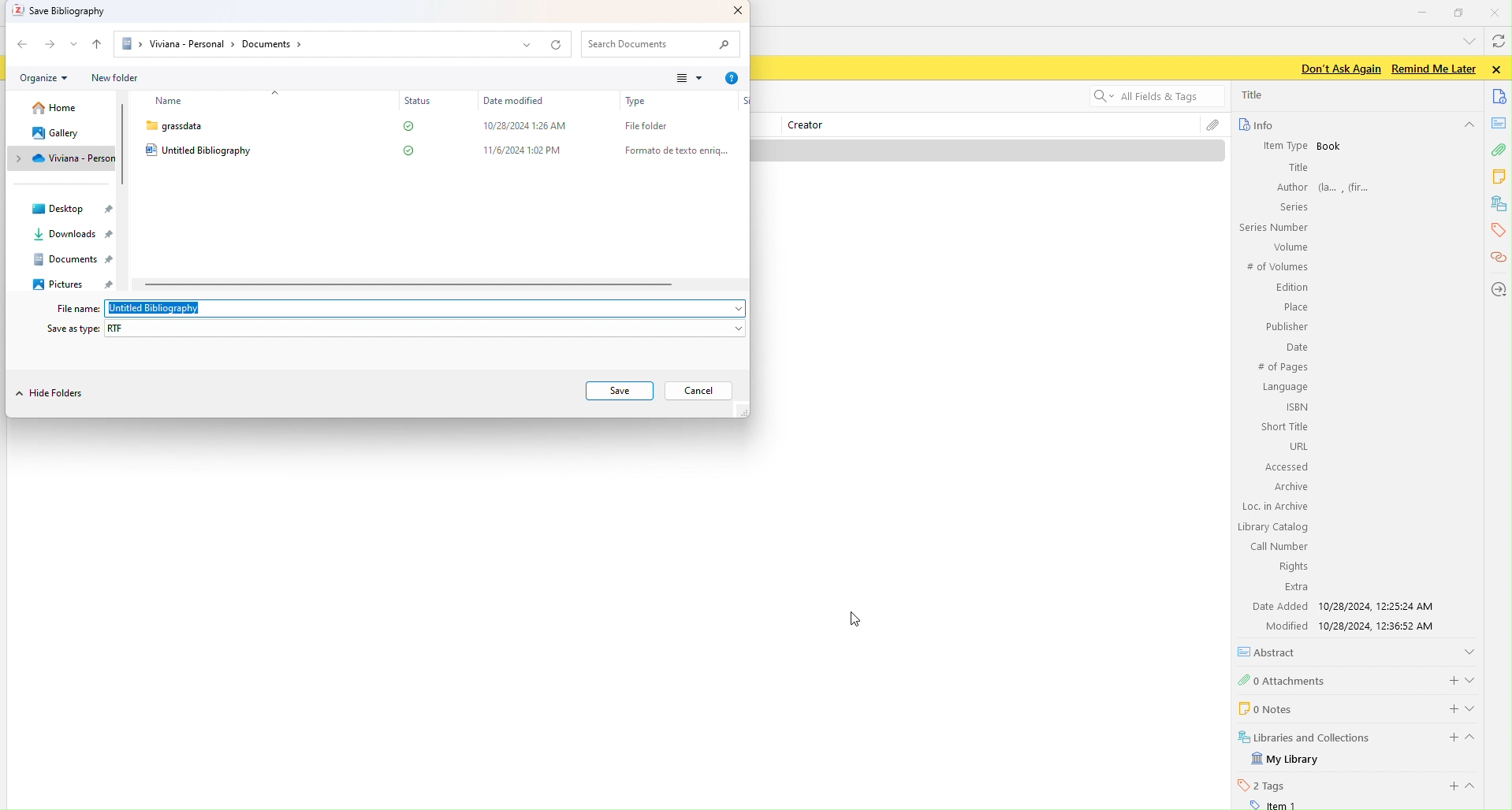  I want to click on Status, so click(415, 101).